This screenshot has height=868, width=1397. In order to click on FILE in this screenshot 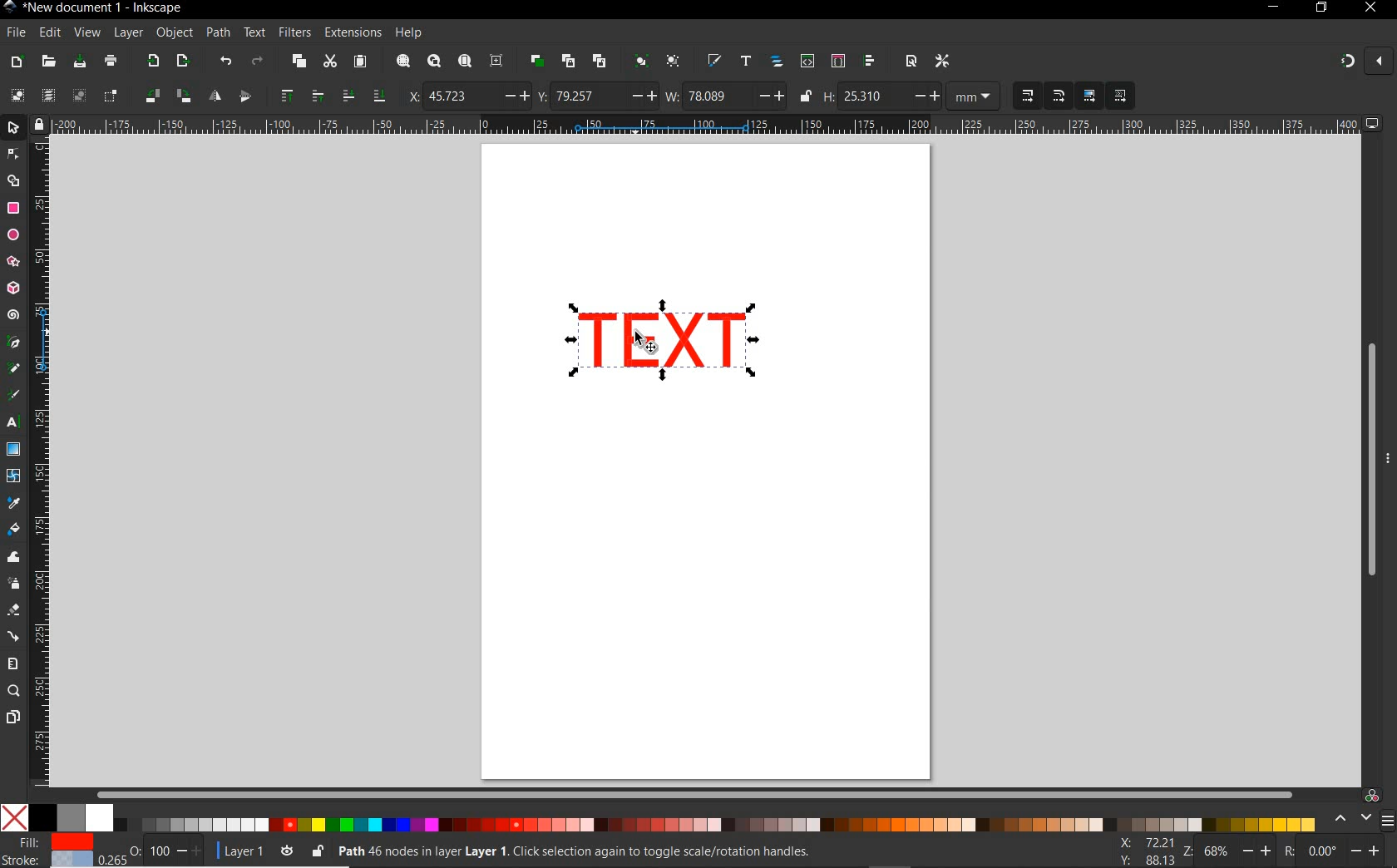, I will do `click(14, 33)`.